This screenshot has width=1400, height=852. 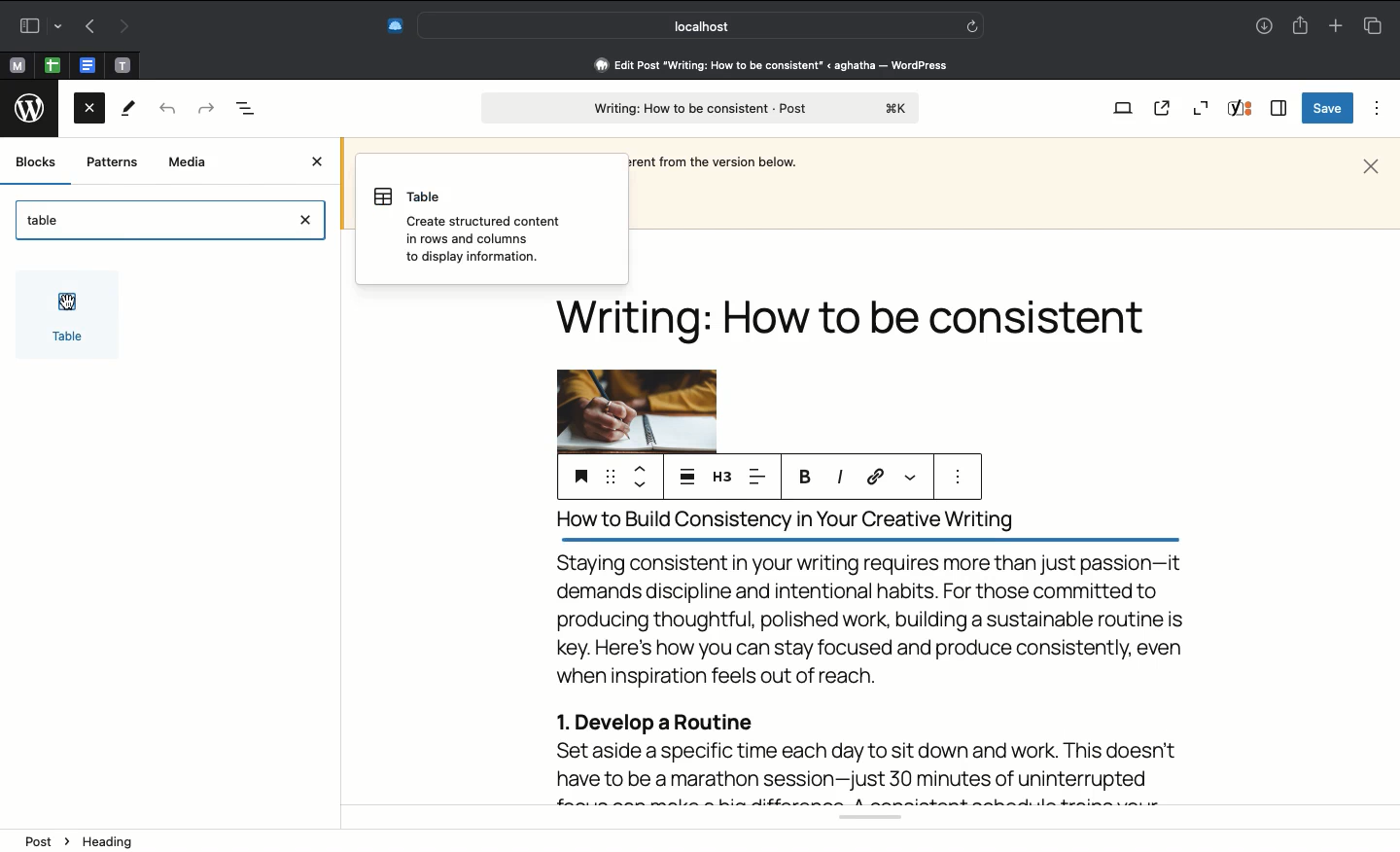 I want to click on View, so click(x=1119, y=110).